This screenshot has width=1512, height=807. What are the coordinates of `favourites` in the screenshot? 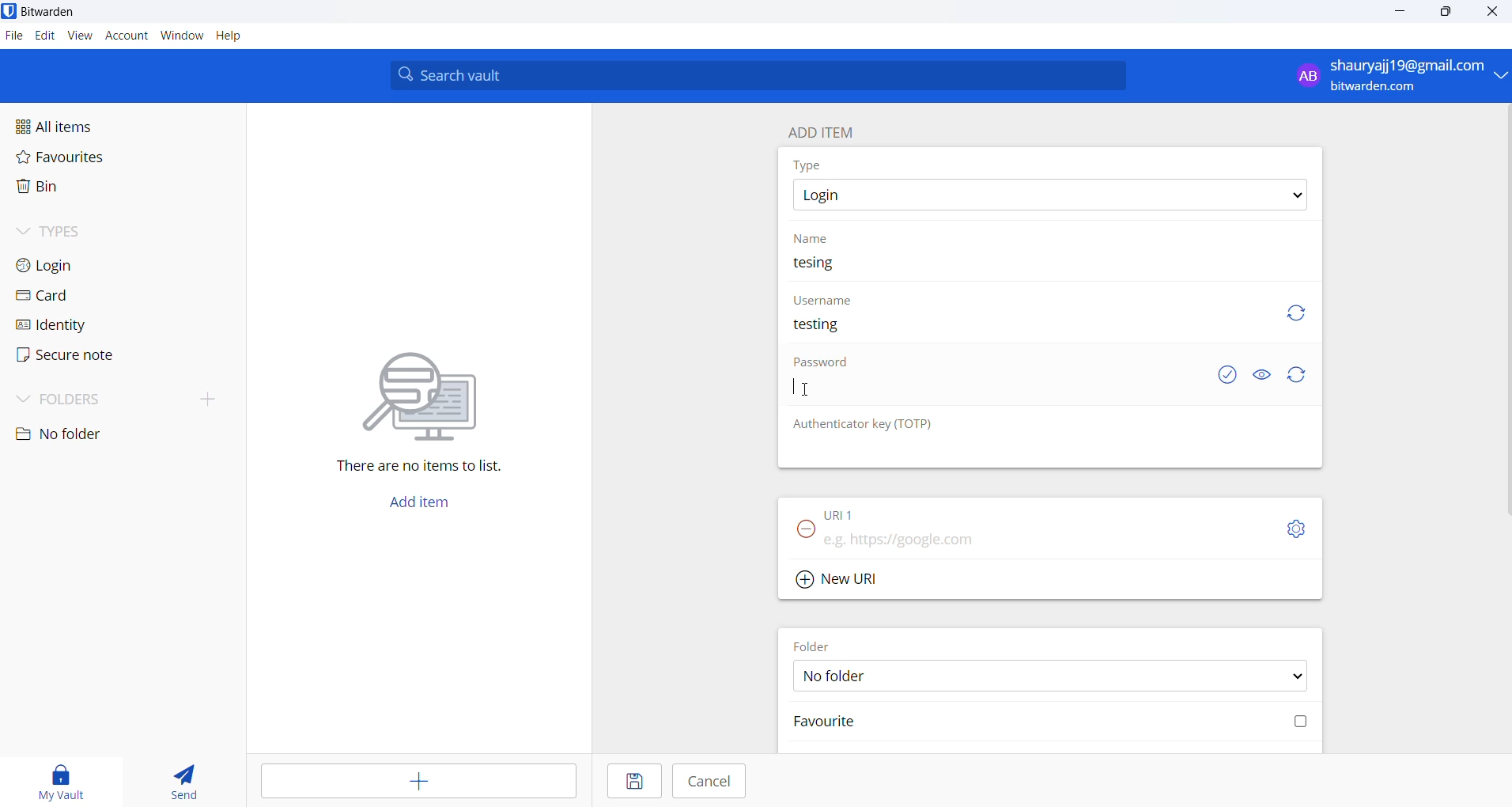 It's located at (88, 162).